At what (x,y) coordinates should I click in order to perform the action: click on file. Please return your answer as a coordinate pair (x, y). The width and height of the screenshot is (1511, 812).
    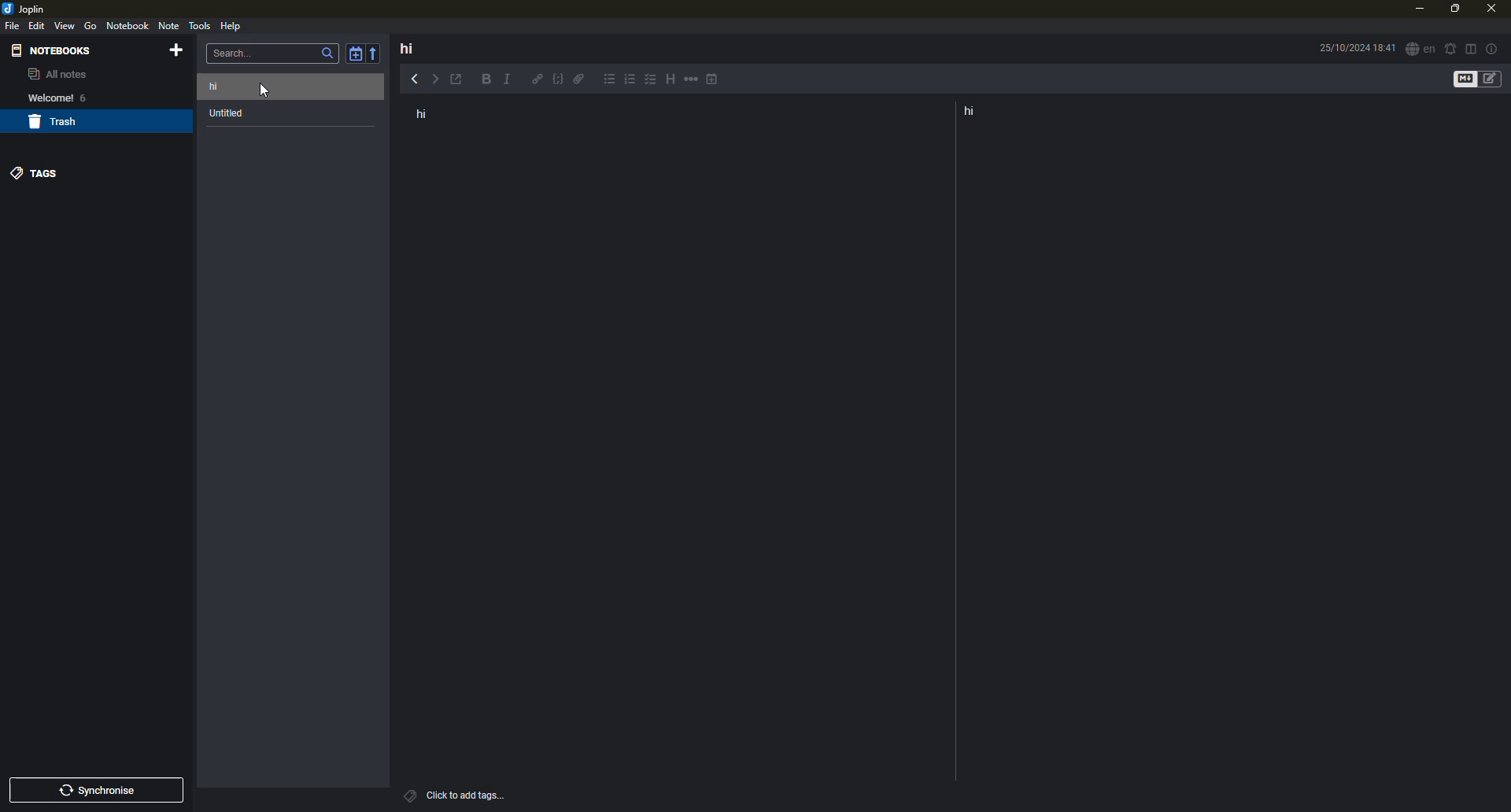
    Looking at the image, I should click on (13, 26).